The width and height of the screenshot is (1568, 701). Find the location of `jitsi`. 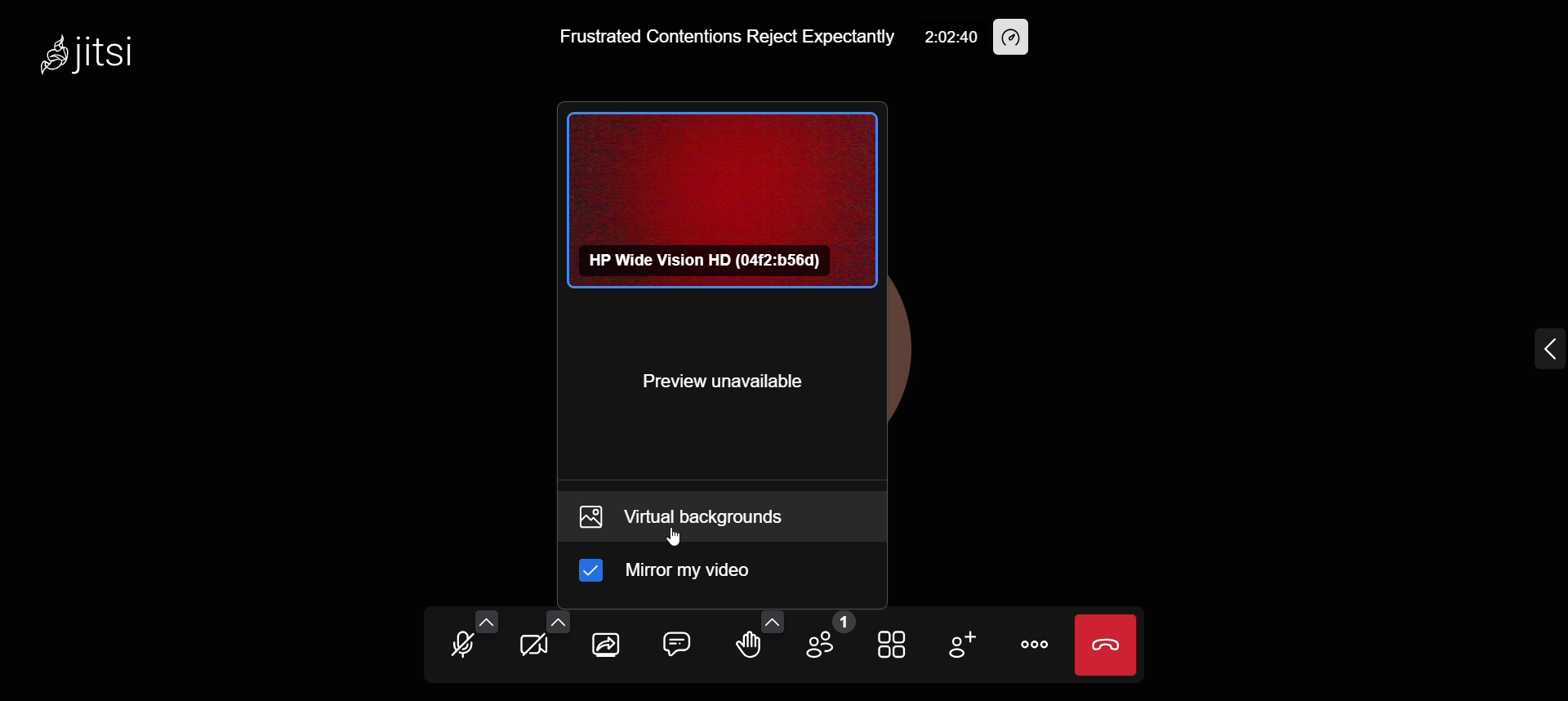

jitsi is located at coordinates (108, 54).